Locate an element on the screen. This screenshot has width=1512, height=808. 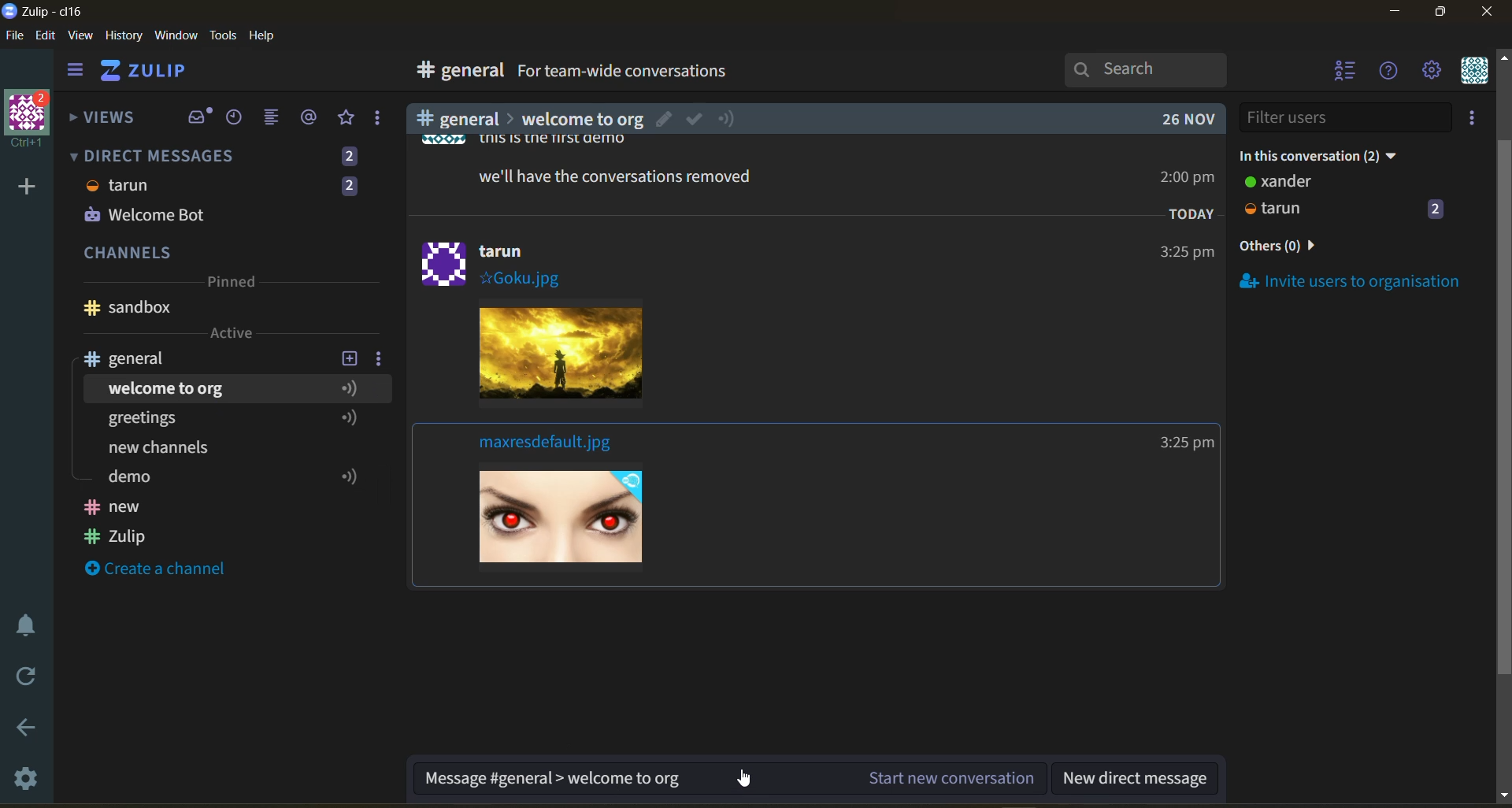
 is located at coordinates (216, 450).